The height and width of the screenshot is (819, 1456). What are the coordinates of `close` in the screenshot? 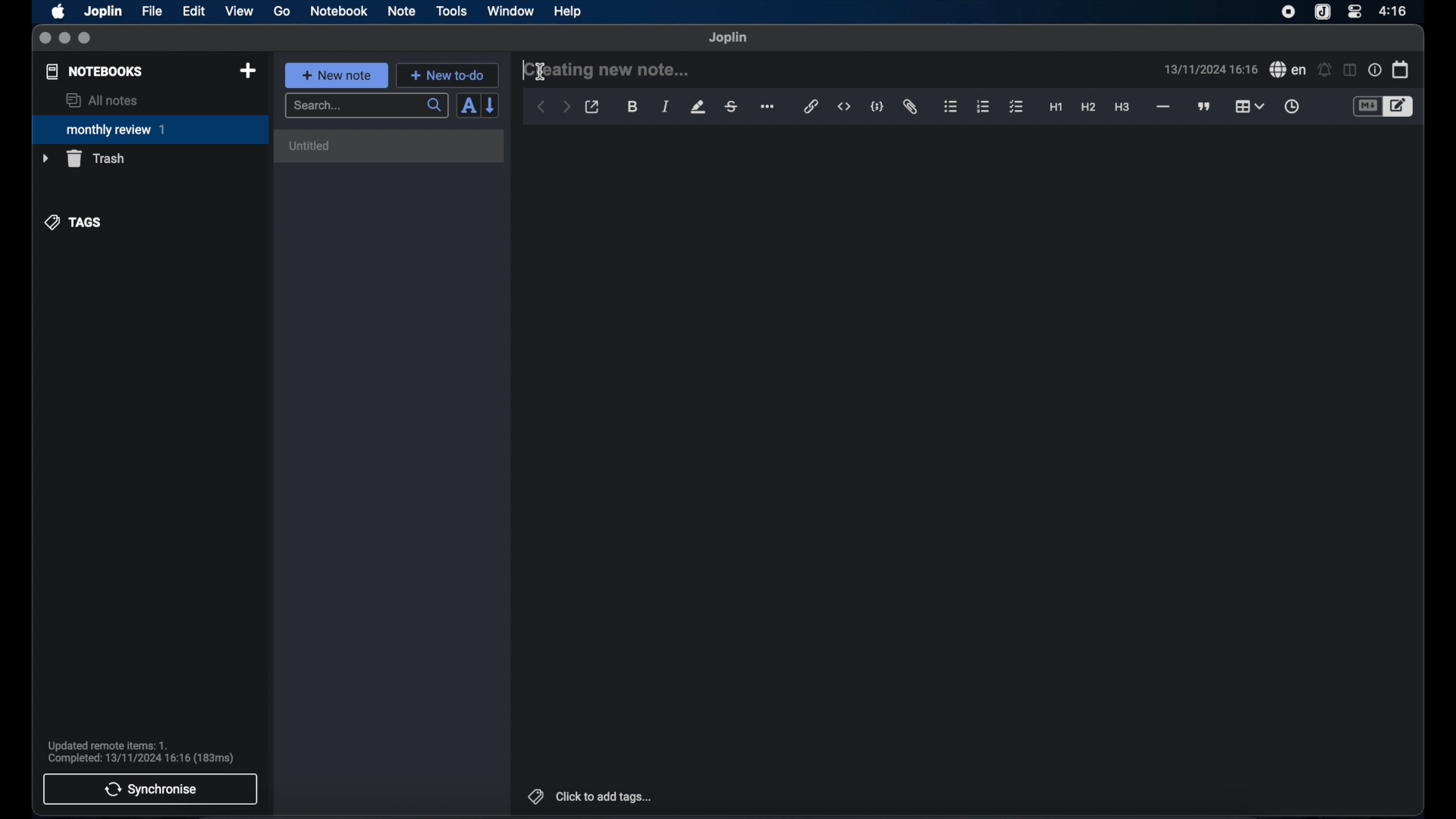 It's located at (45, 39).